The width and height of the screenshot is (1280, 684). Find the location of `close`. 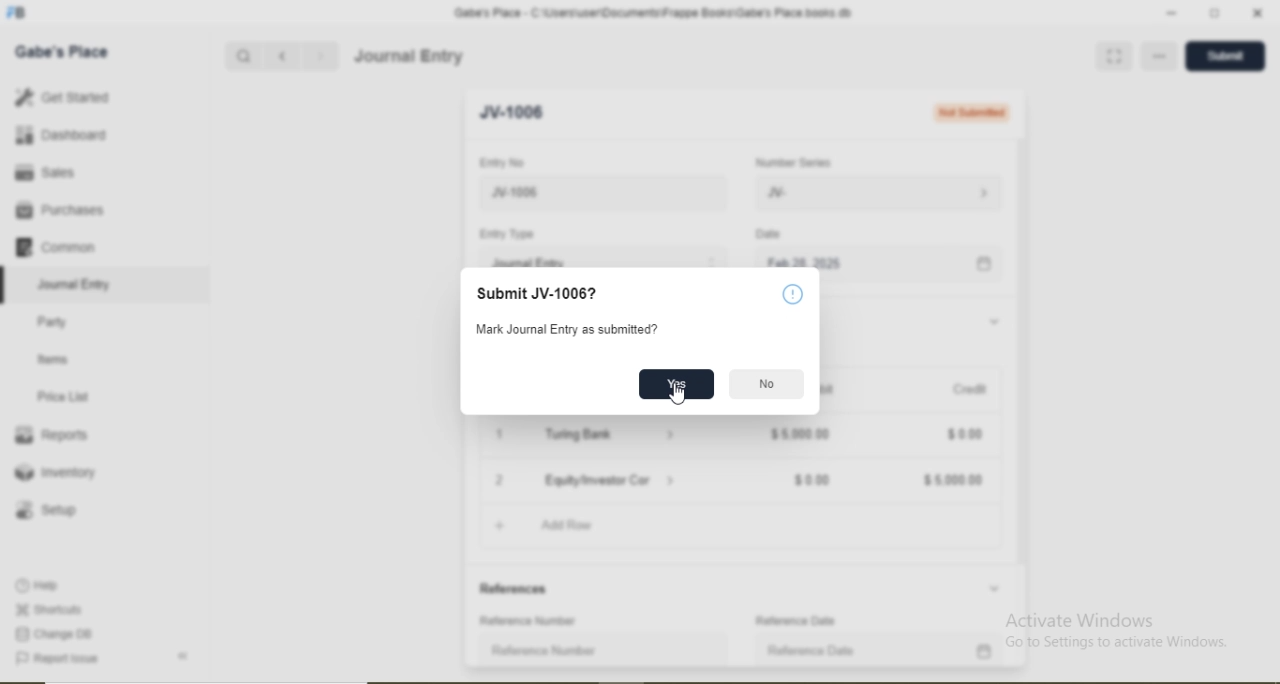

close is located at coordinates (1259, 13).